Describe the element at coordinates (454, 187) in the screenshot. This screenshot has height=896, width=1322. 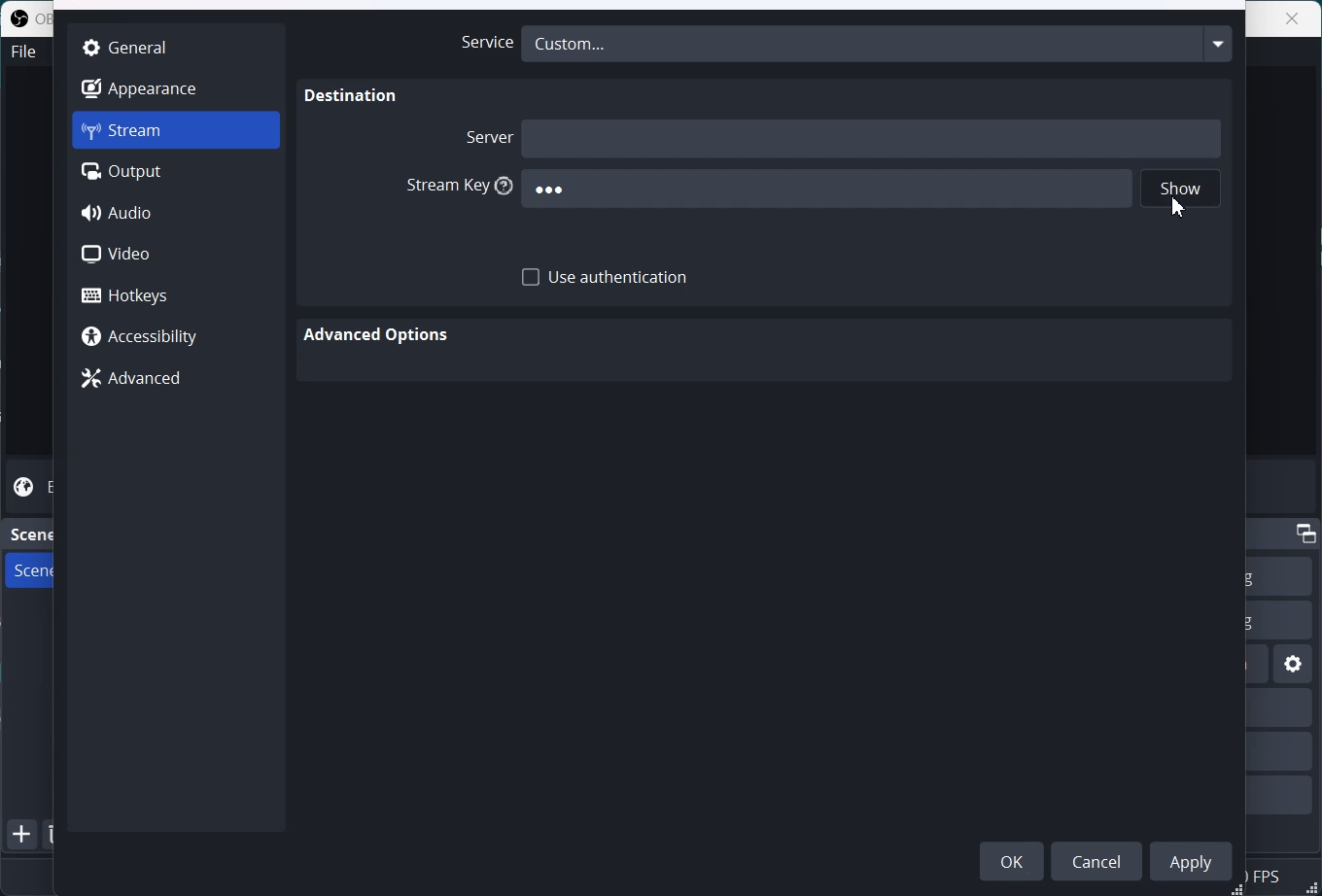
I see `Stream Key ` at that location.